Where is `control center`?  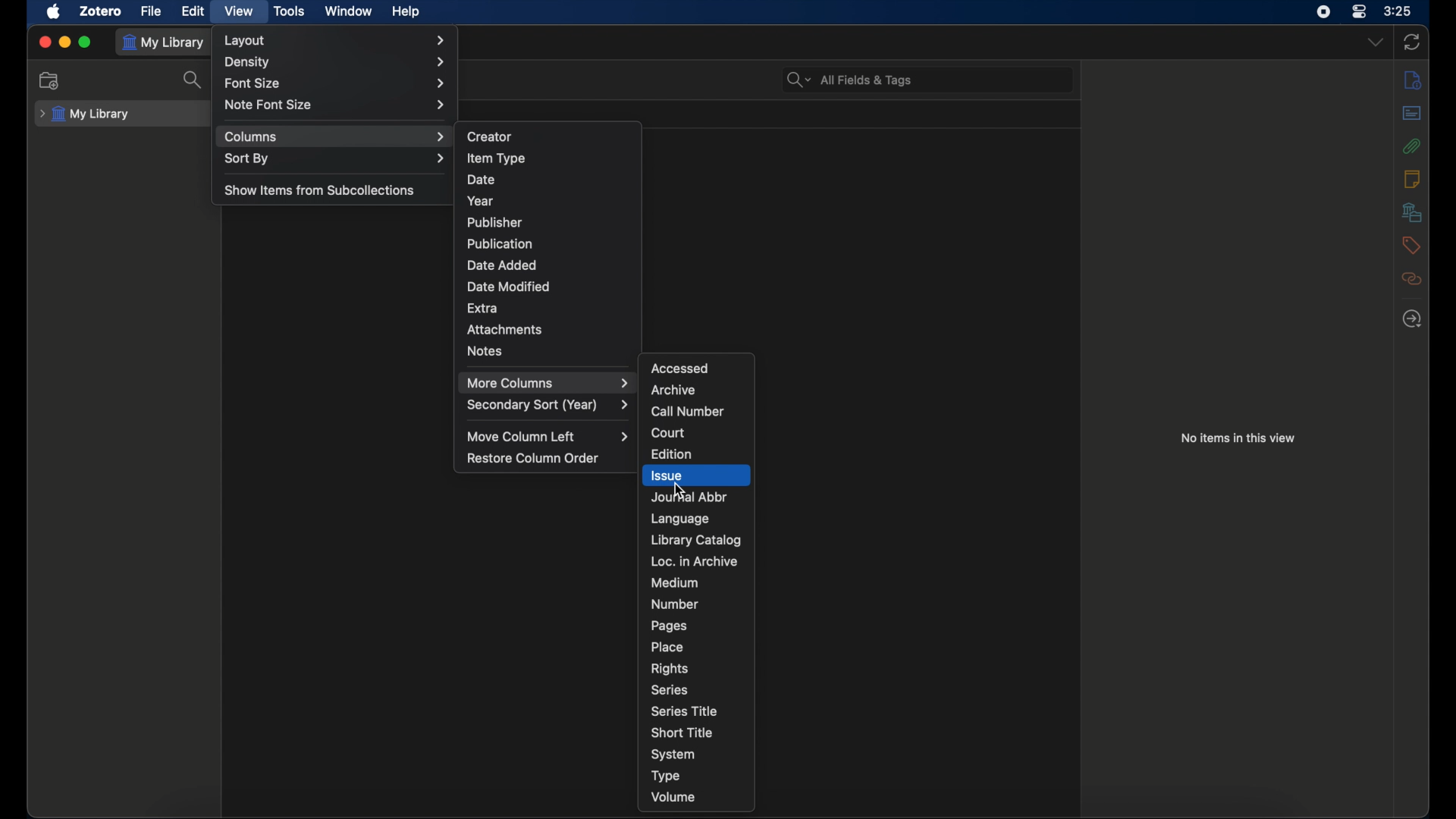
control center is located at coordinates (1360, 12).